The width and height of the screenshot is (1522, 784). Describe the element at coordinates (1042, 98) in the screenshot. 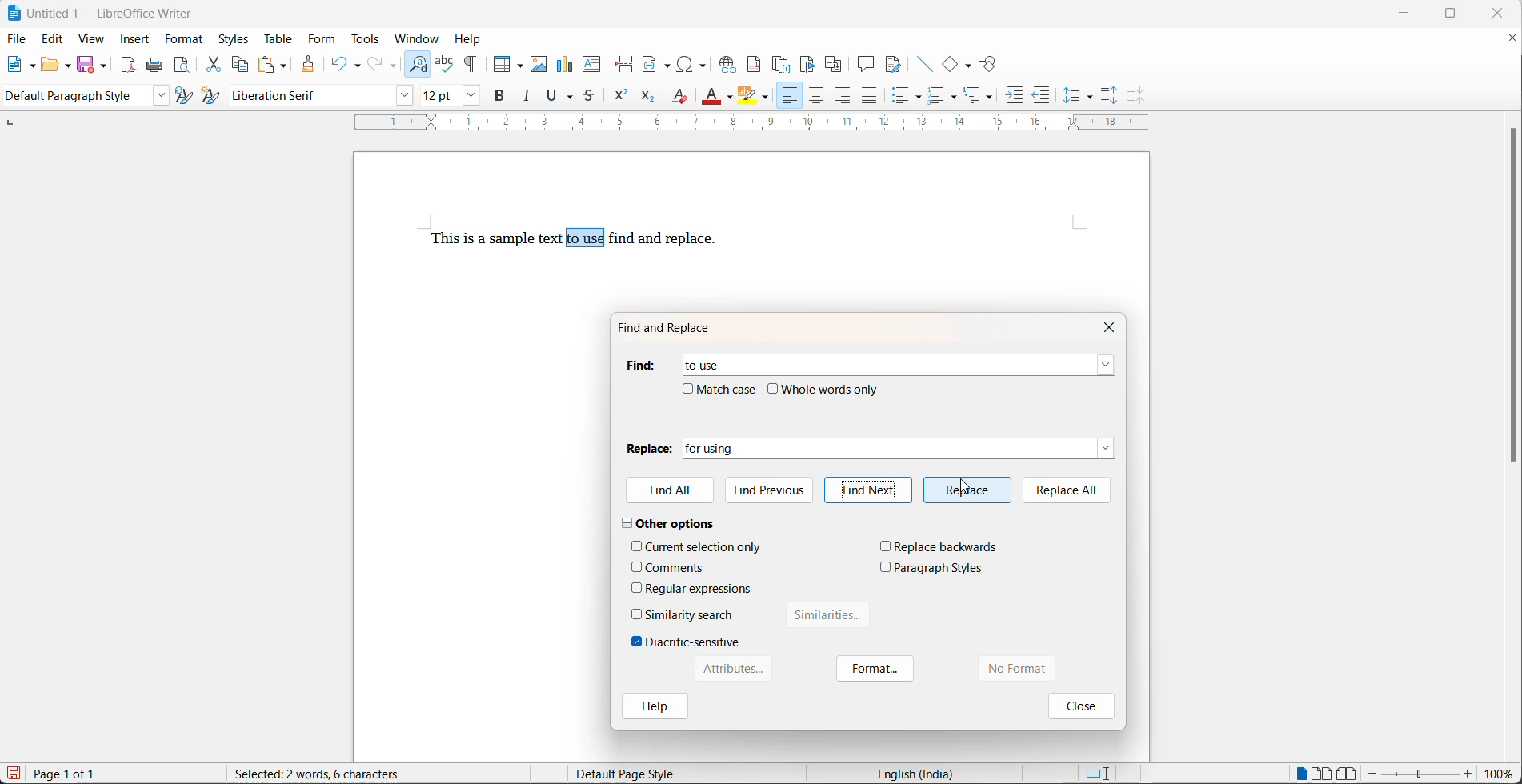

I see `decrease indent` at that location.